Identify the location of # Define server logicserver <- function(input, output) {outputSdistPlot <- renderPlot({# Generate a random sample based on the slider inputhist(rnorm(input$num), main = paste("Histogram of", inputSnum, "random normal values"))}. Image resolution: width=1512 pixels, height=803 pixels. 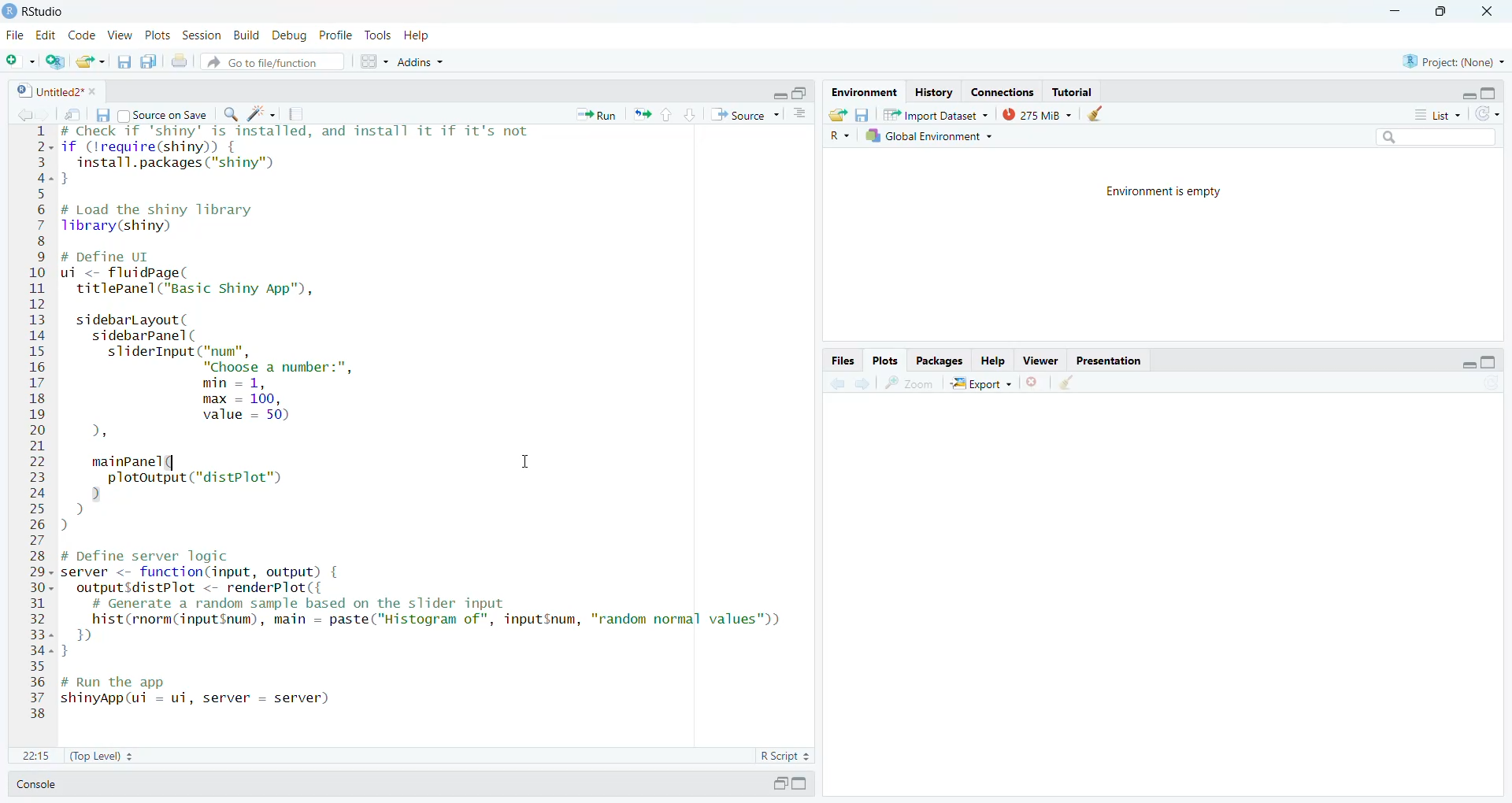
(422, 603).